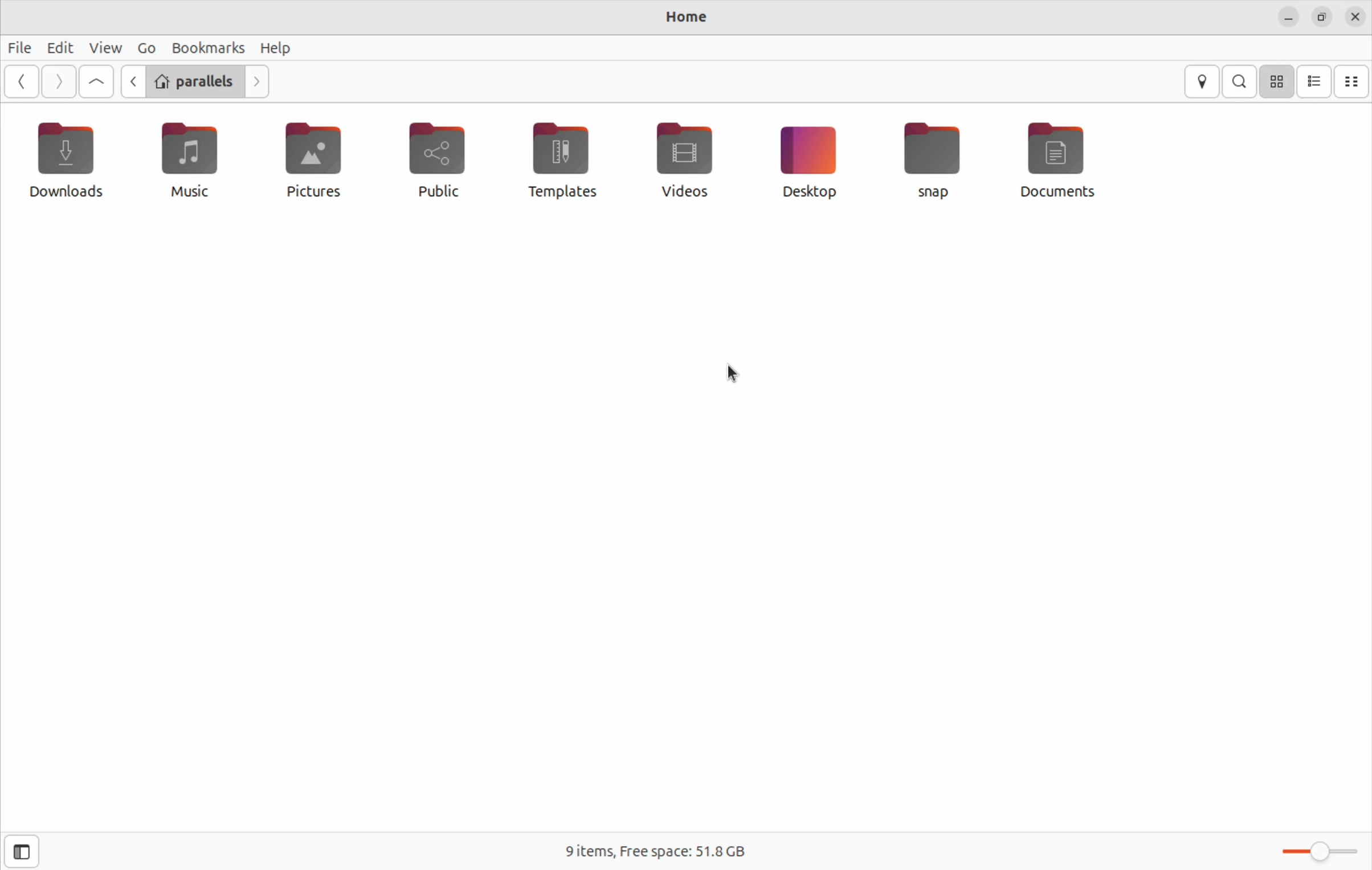 The image size is (1372, 870). I want to click on next, so click(58, 81).